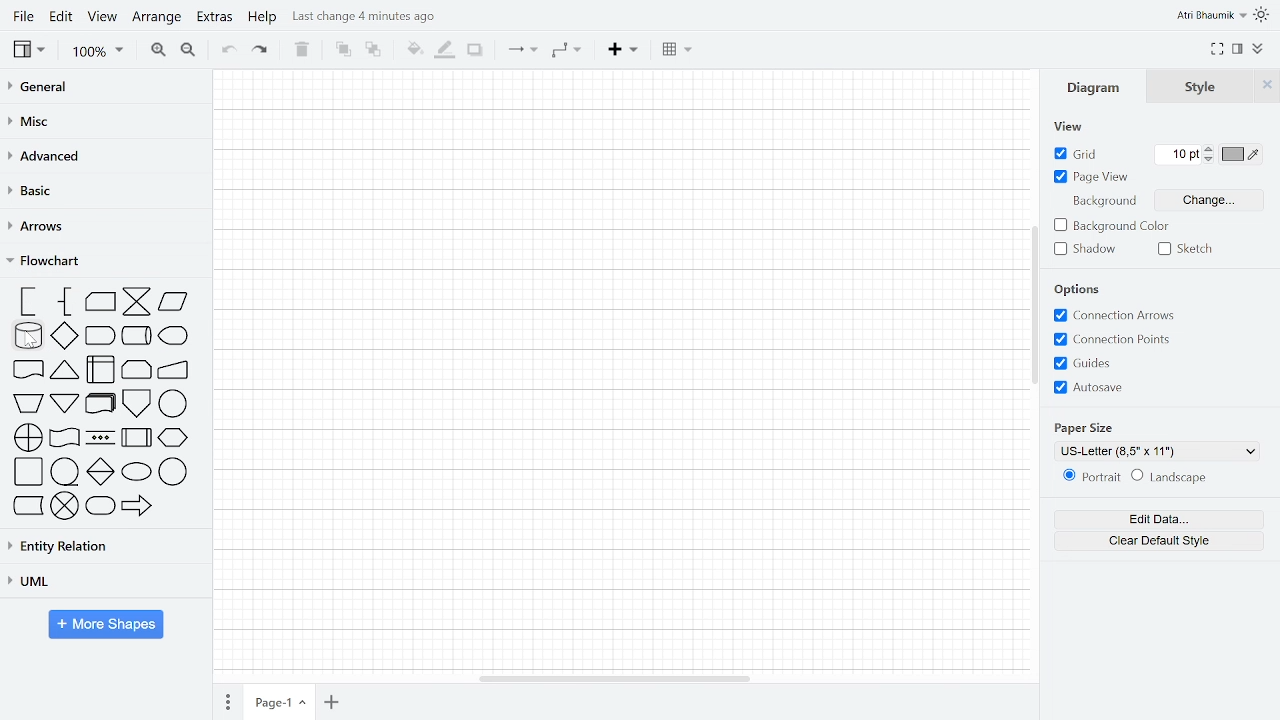  What do you see at coordinates (101, 302) in the screenshot?
I see `card` at bounding box center [101, 302].